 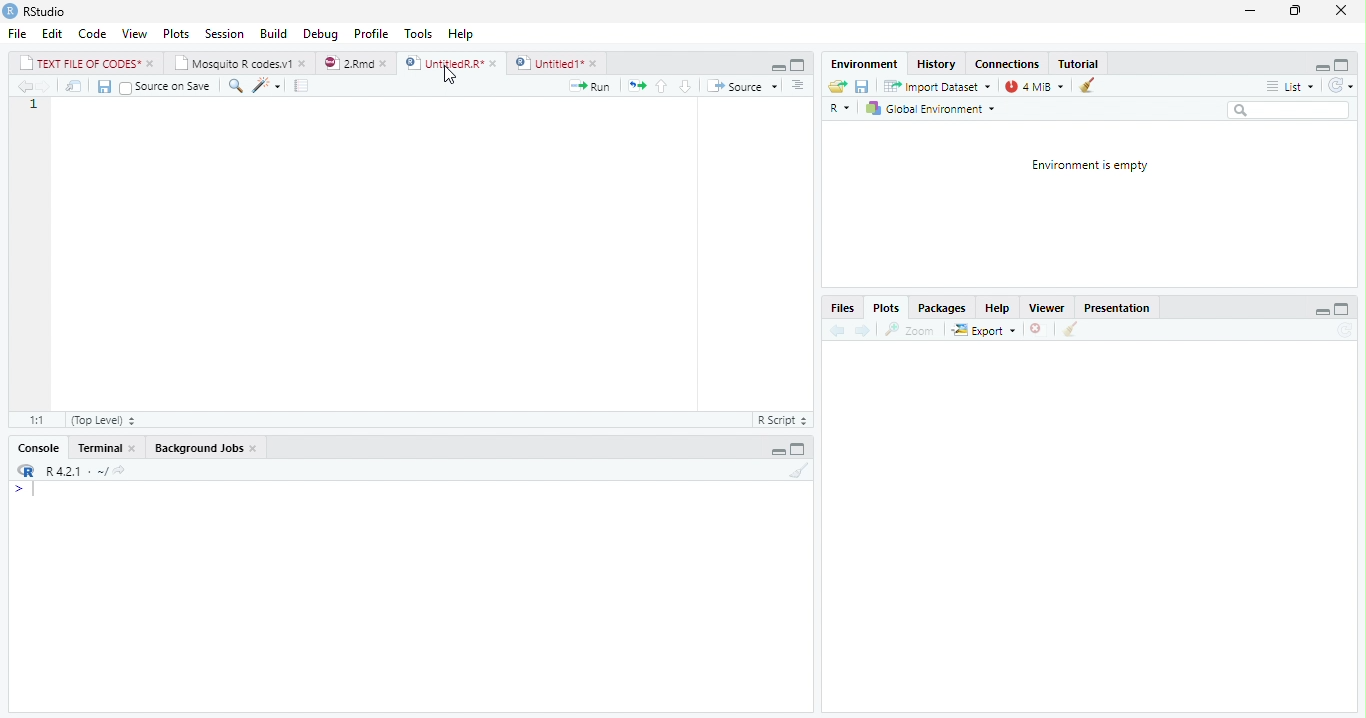 I want to click on hide console, so click(x=1346, y=65).